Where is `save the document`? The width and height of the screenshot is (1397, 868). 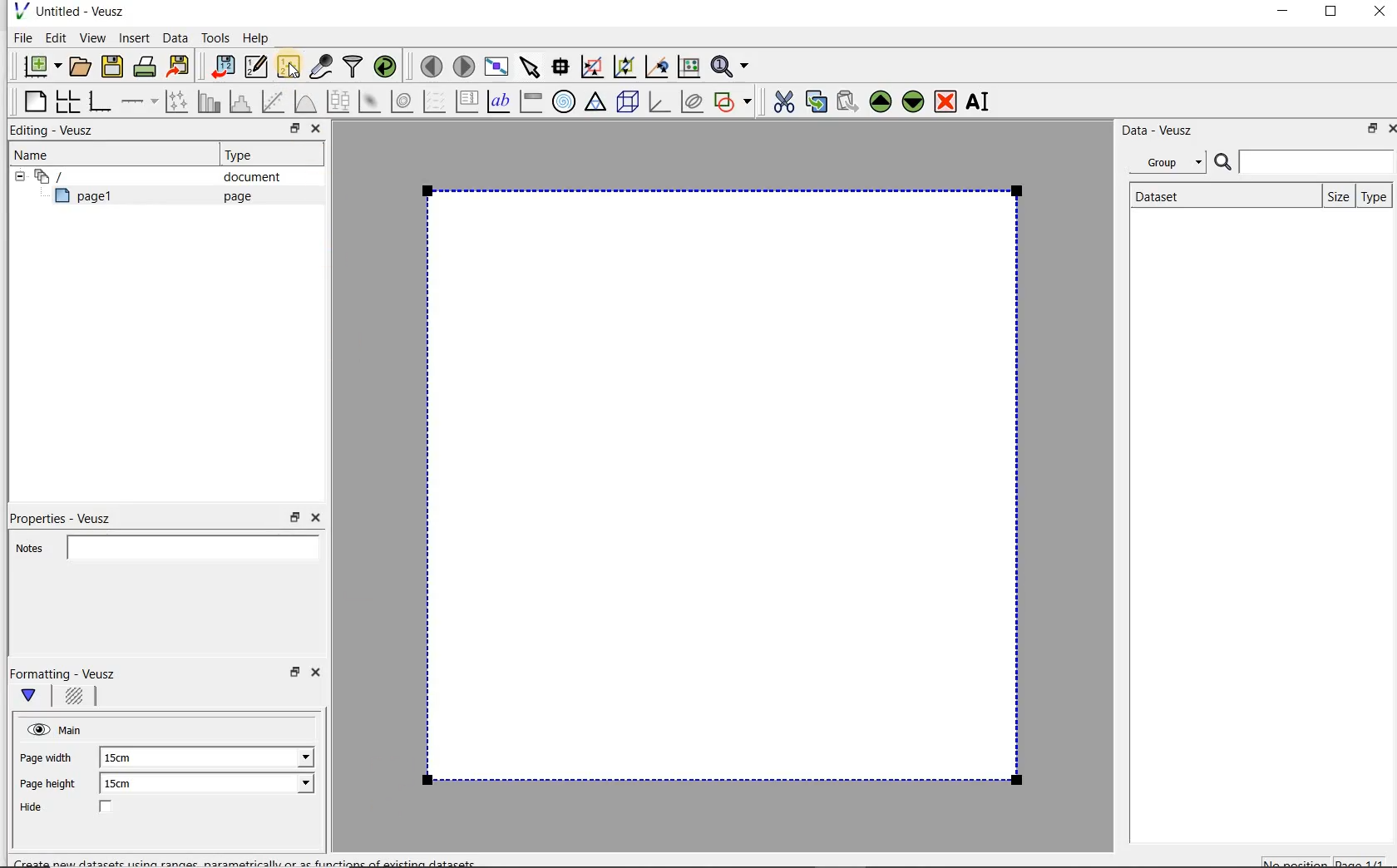
save the document is located at coordinates (116, 67).